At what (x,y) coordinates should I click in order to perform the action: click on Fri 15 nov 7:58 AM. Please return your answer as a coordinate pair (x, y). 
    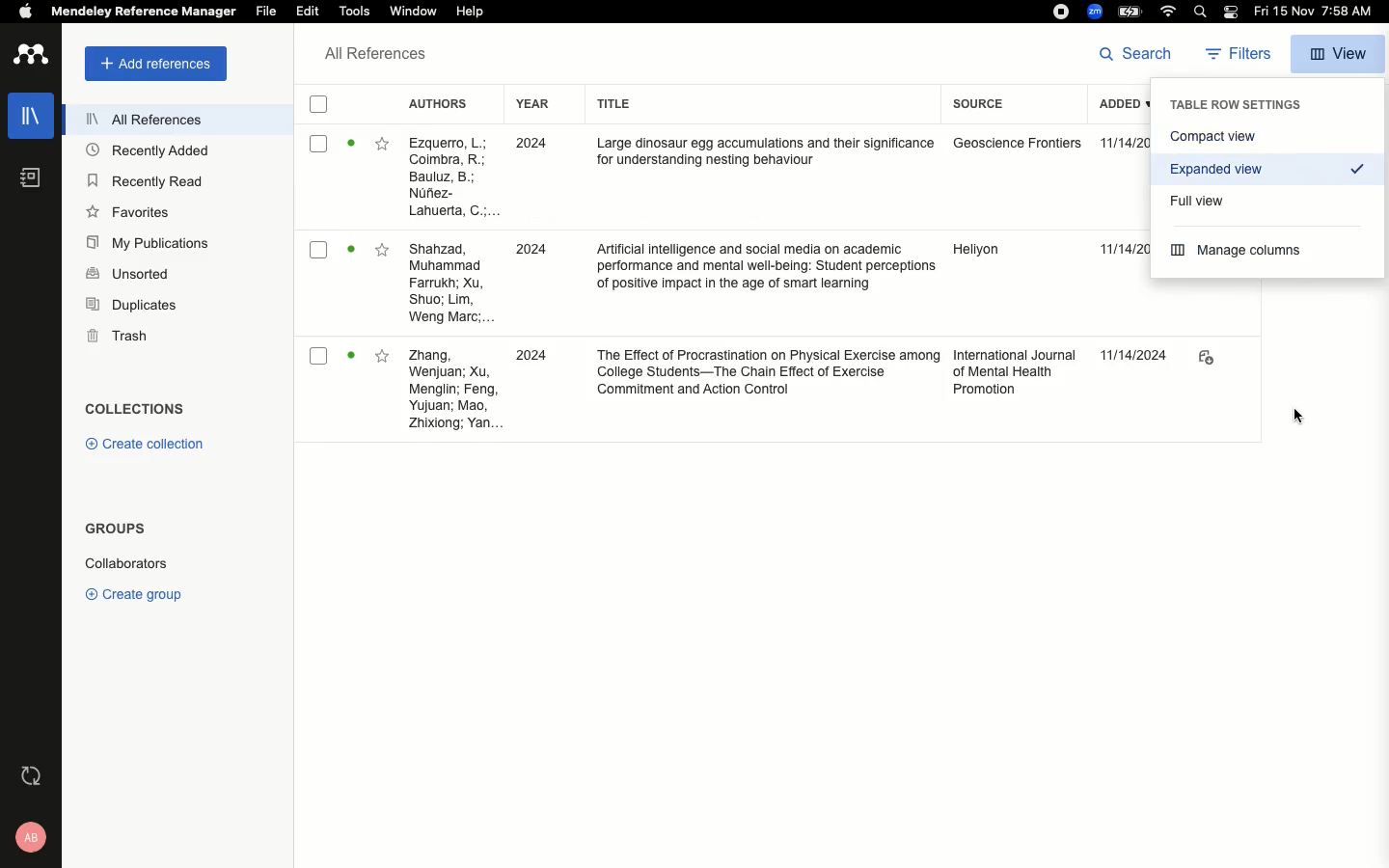
    Looking at the image, I should click on (1317, 13).